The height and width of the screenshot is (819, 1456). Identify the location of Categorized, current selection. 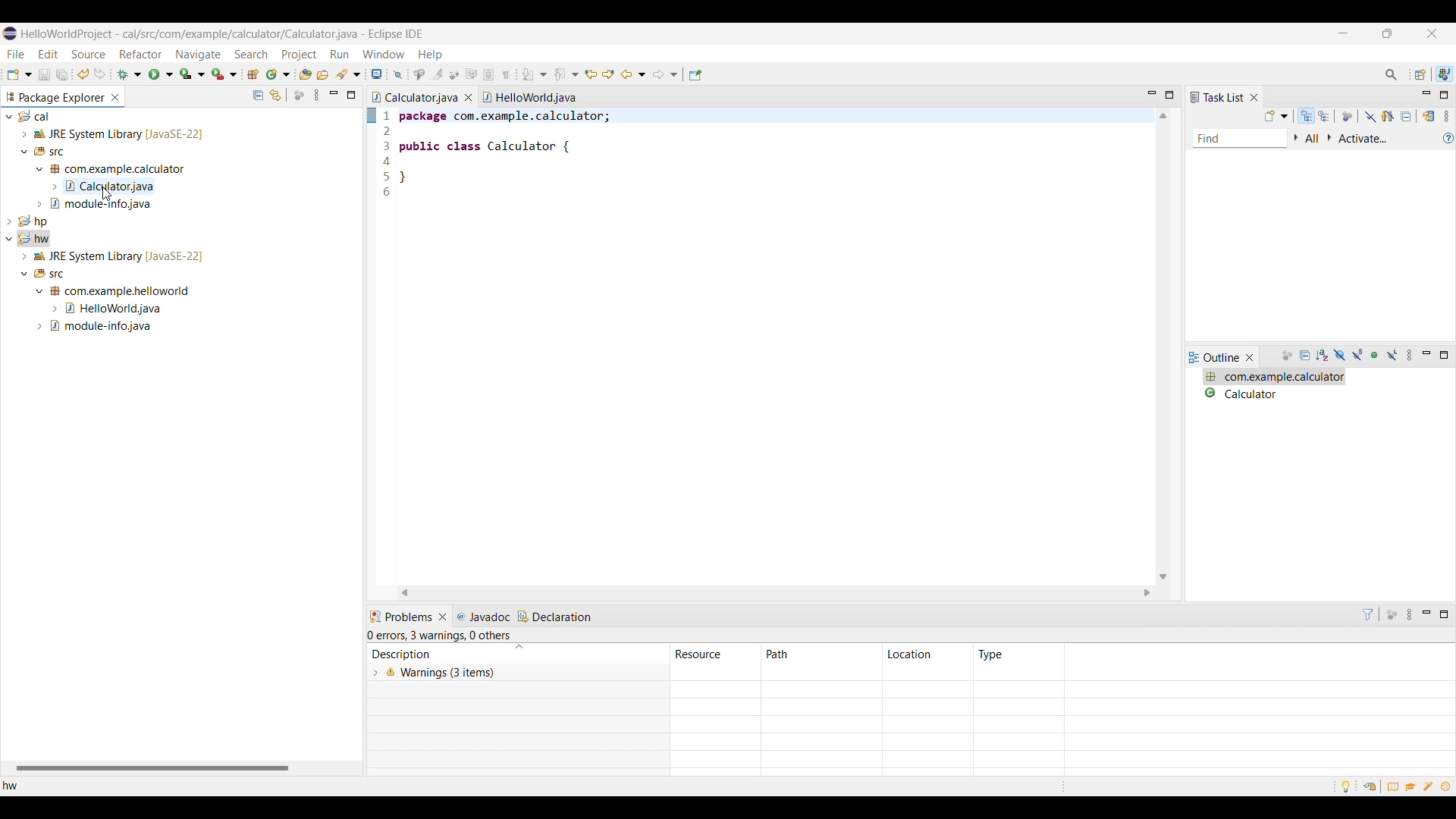
(1307, 116).